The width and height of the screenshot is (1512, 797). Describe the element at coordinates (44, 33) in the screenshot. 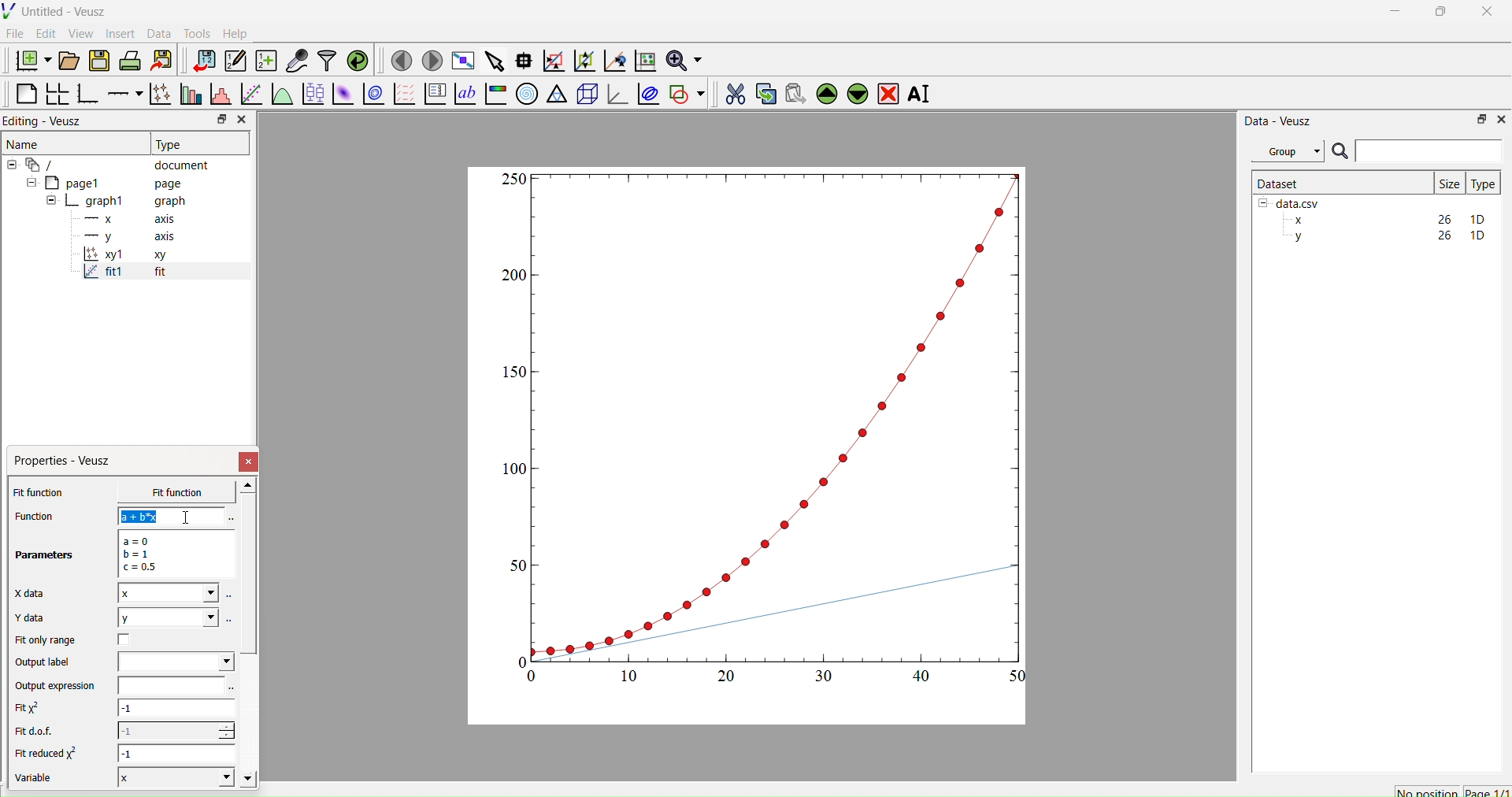

I see `Edit` at that location.